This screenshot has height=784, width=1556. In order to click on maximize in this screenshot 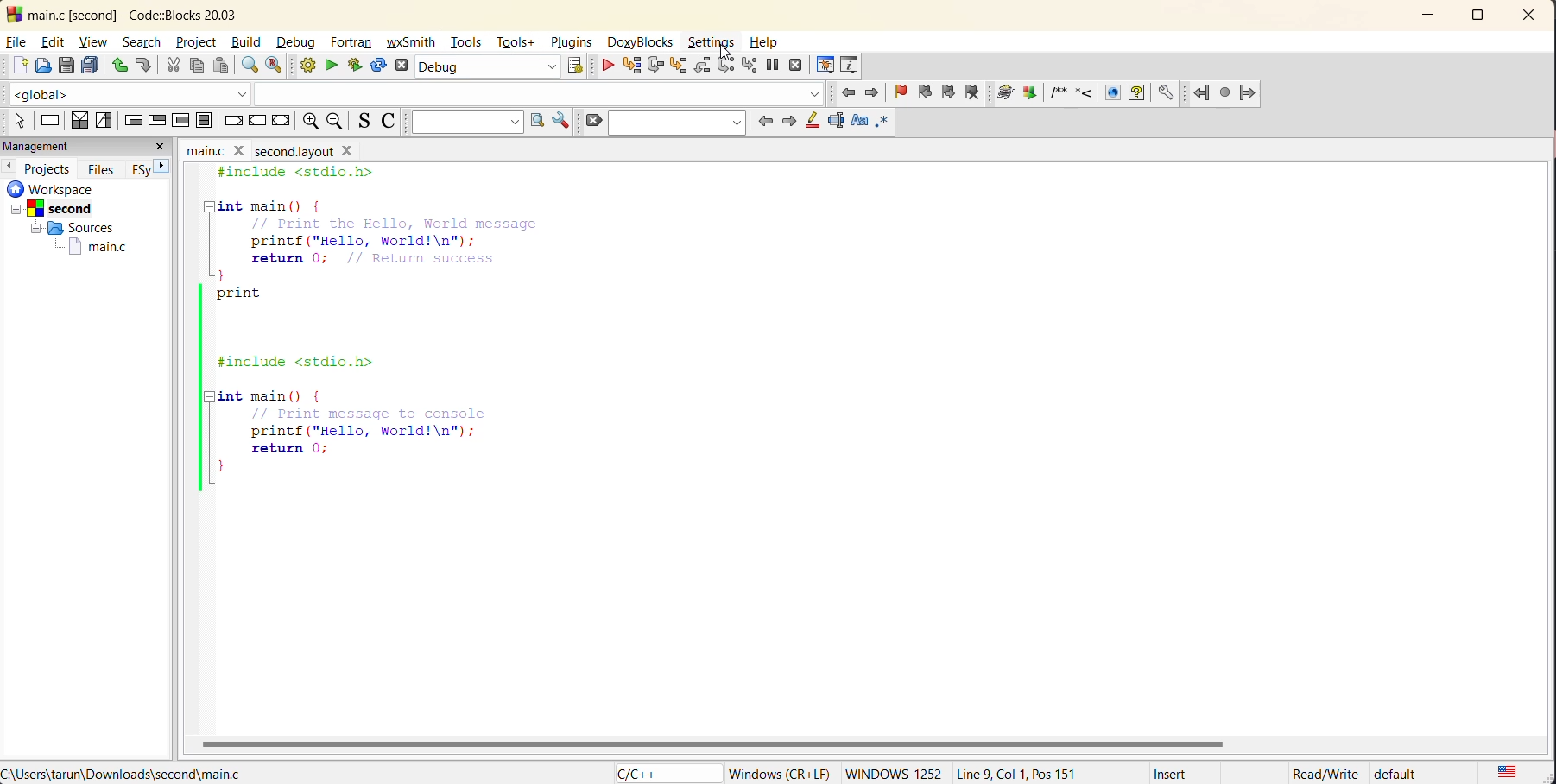, I will do `click(1483, 18)`.